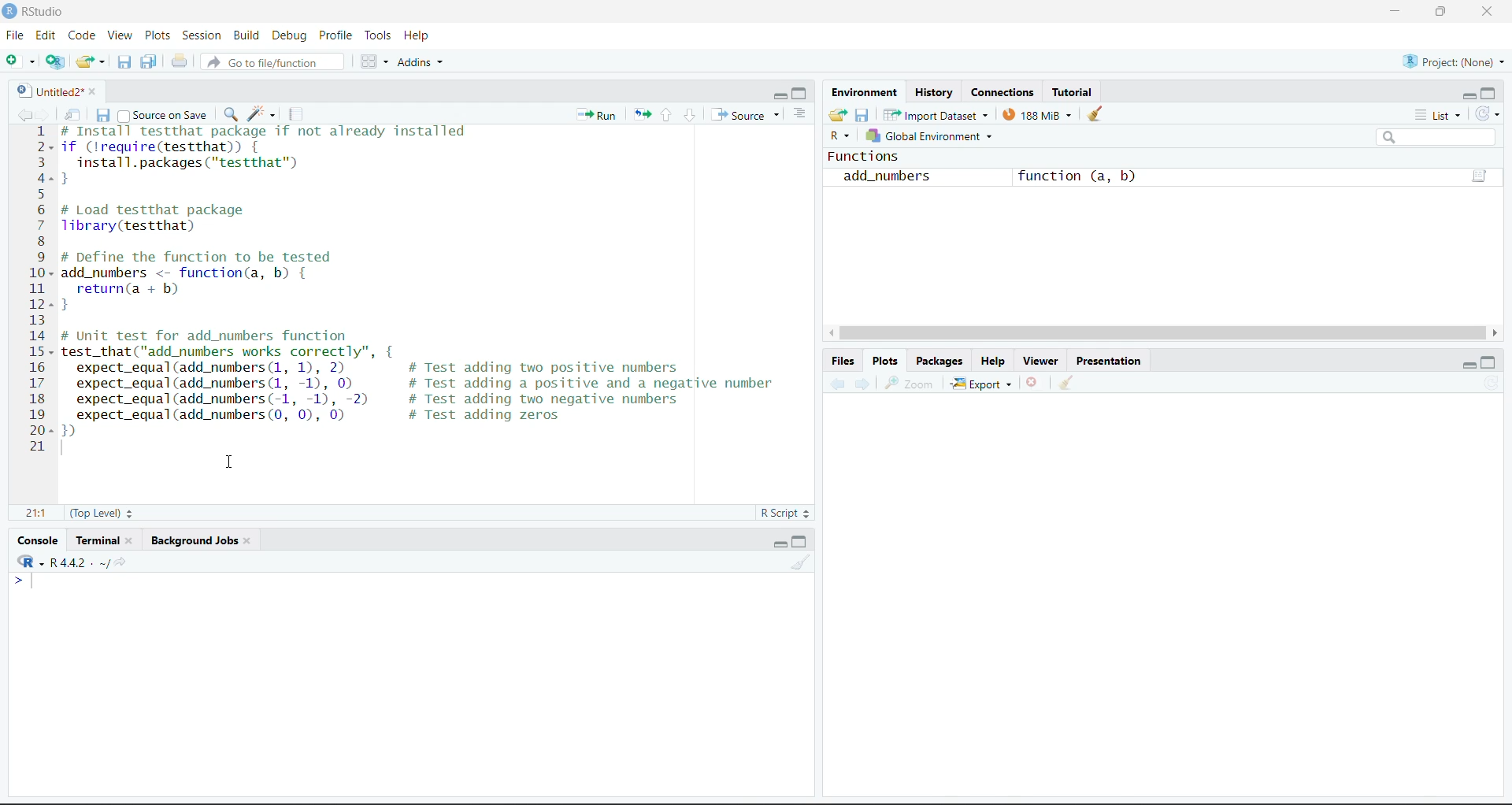 The width and height of the screenshot is (1512, 805). I want to click on # Install testthat package if not already installedif (!require(testthat)) {install.packages ("testthat™)}# Load testthat packageTibrary(testthat)# Define the function to be testedadd_numbers <- function(a, b) {return(a + b)}# Unit test for add_numbers functiontest_that("add_numbers works correctly”, {expect_equal(add_numbers (1, 1), 2) # Test adding two positive numbersexpect_equal(add_numbers (1, -1), 0) # Test adding a positive and a negative numberexpect_equal(add_numbers(-1, -1), -2) # Test adding two negative numbersexpect_equal(add_numbers (0, 0), 0) # Test adding zeros}), so click(430, 282).